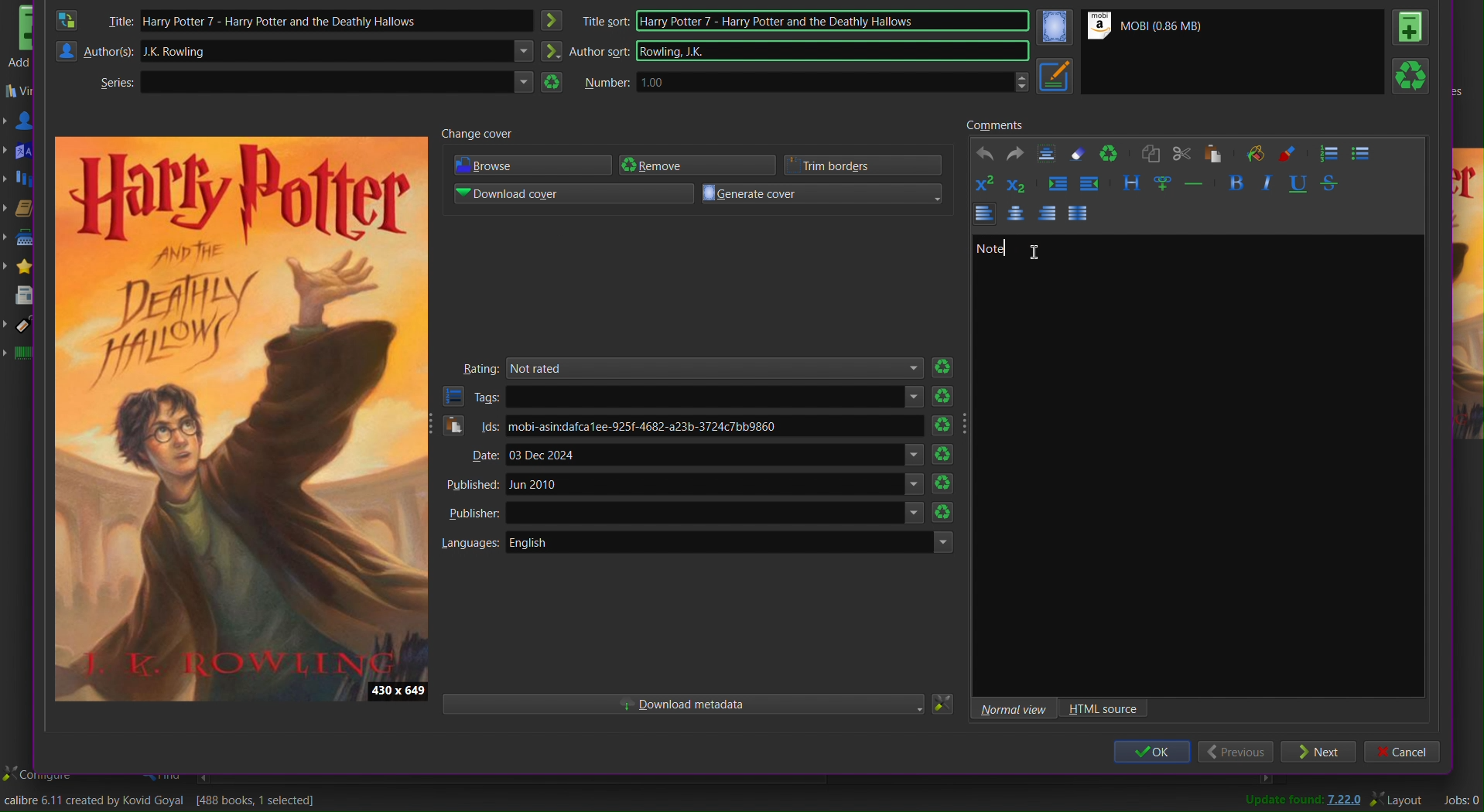 The width and height of the screenshot is (1484, 812). Describe the element at coordinates (23, 92) in the screenshot. I see `Virtual library` at that location.